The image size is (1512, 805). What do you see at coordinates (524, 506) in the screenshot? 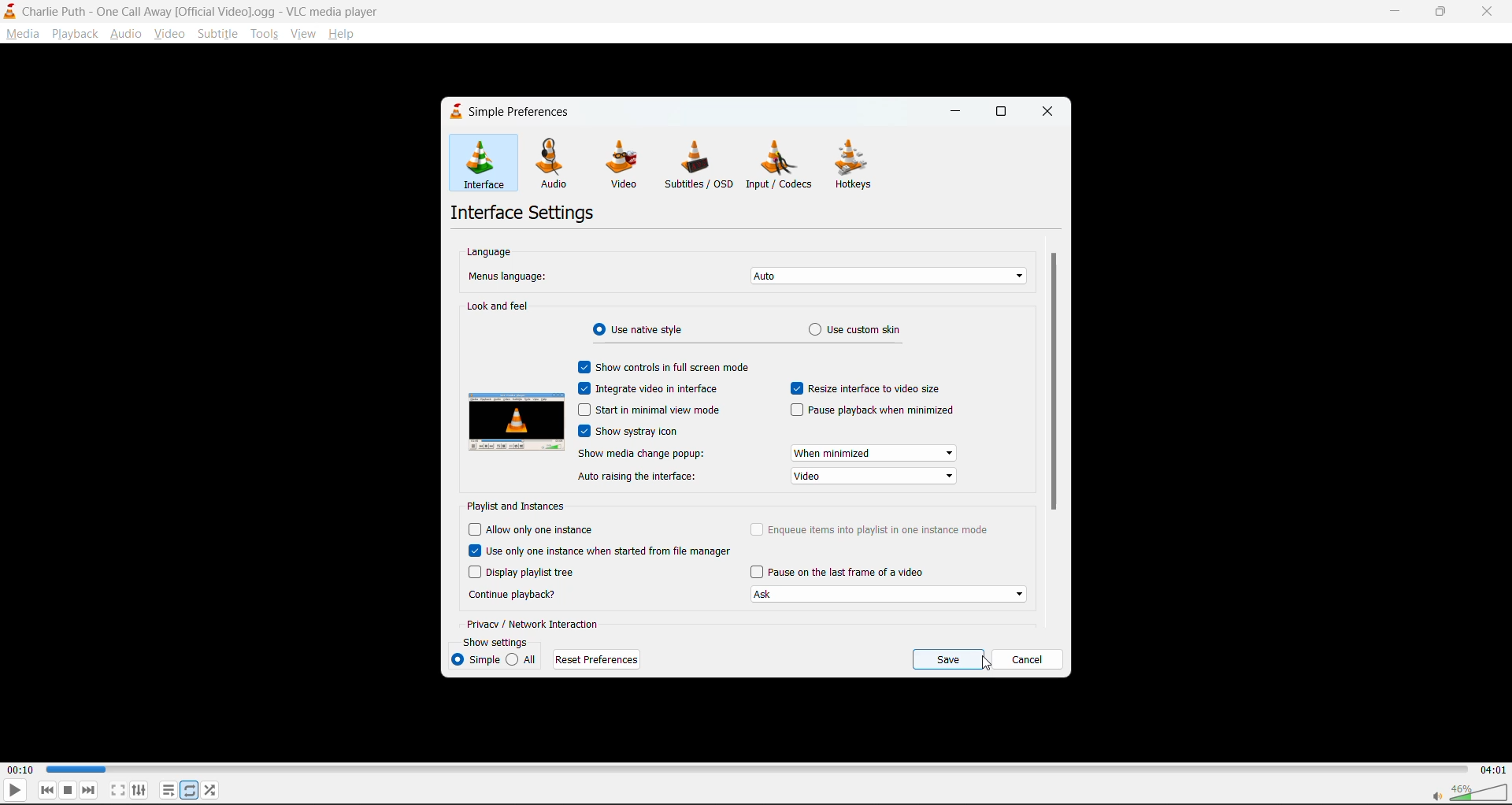
I see `playlist and instances` at bounding box center [524, 506].